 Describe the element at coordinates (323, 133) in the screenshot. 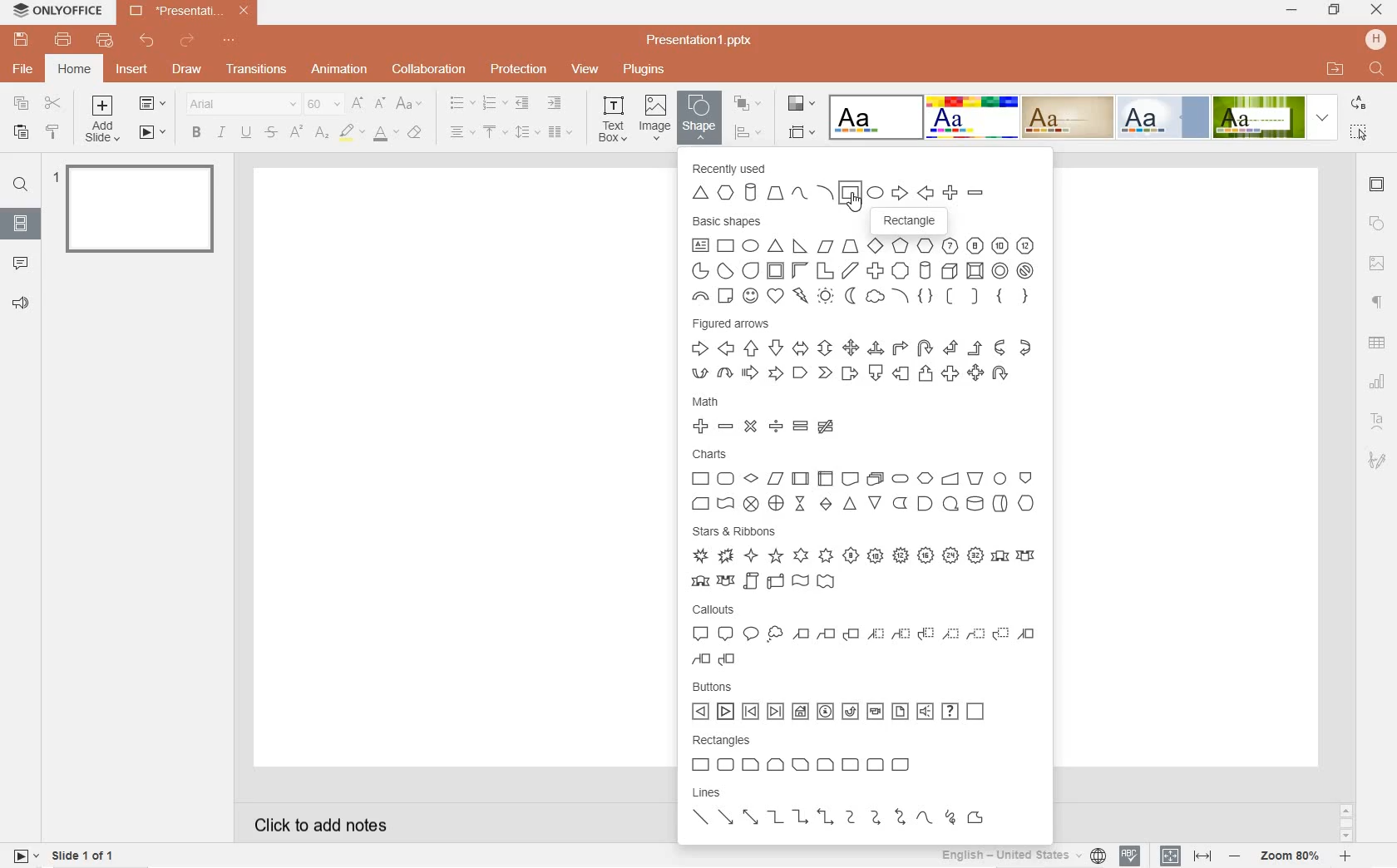

I see `subscript` at that location.